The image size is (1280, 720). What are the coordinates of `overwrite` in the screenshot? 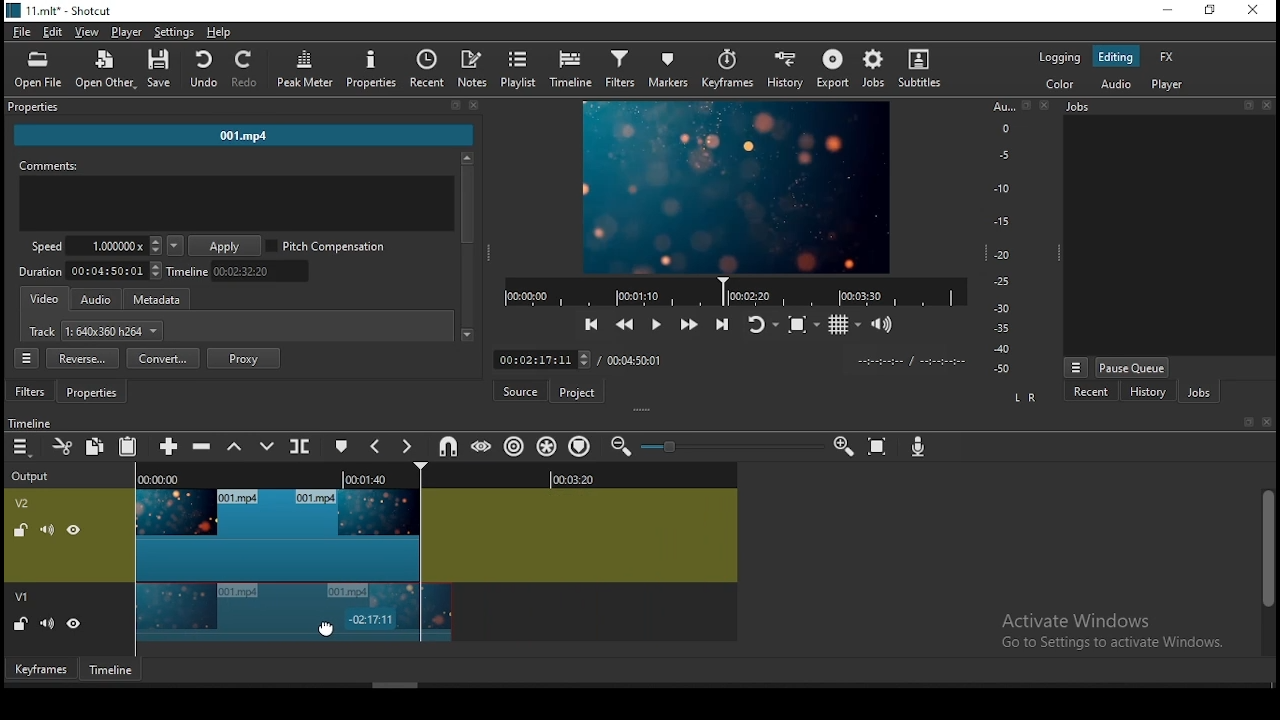 It's located at (267, 446).